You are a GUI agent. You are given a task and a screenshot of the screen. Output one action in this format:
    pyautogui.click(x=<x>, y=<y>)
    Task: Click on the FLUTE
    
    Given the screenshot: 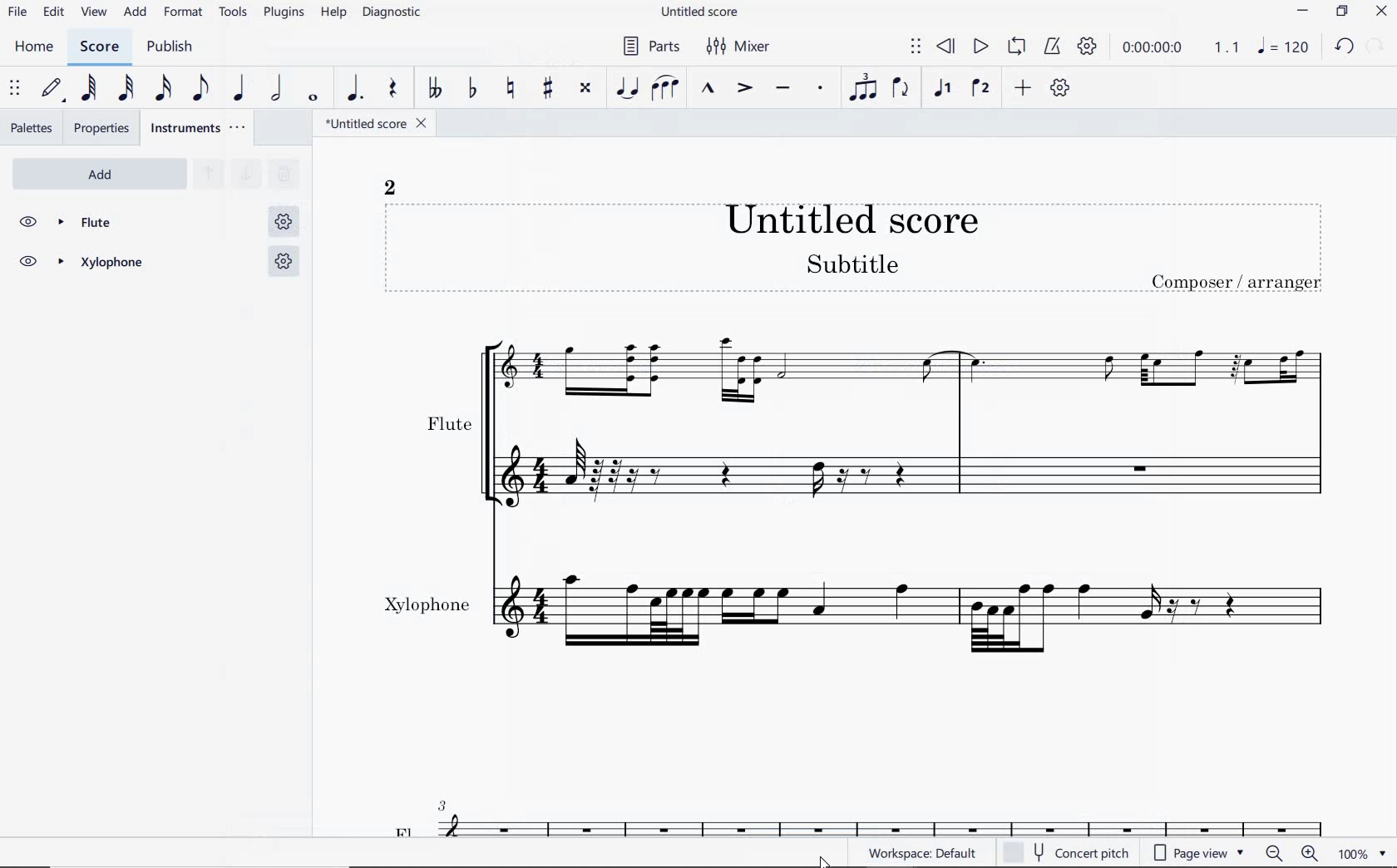 What is the action you would take?
    pyautogui.click(x=858, y=417)
    